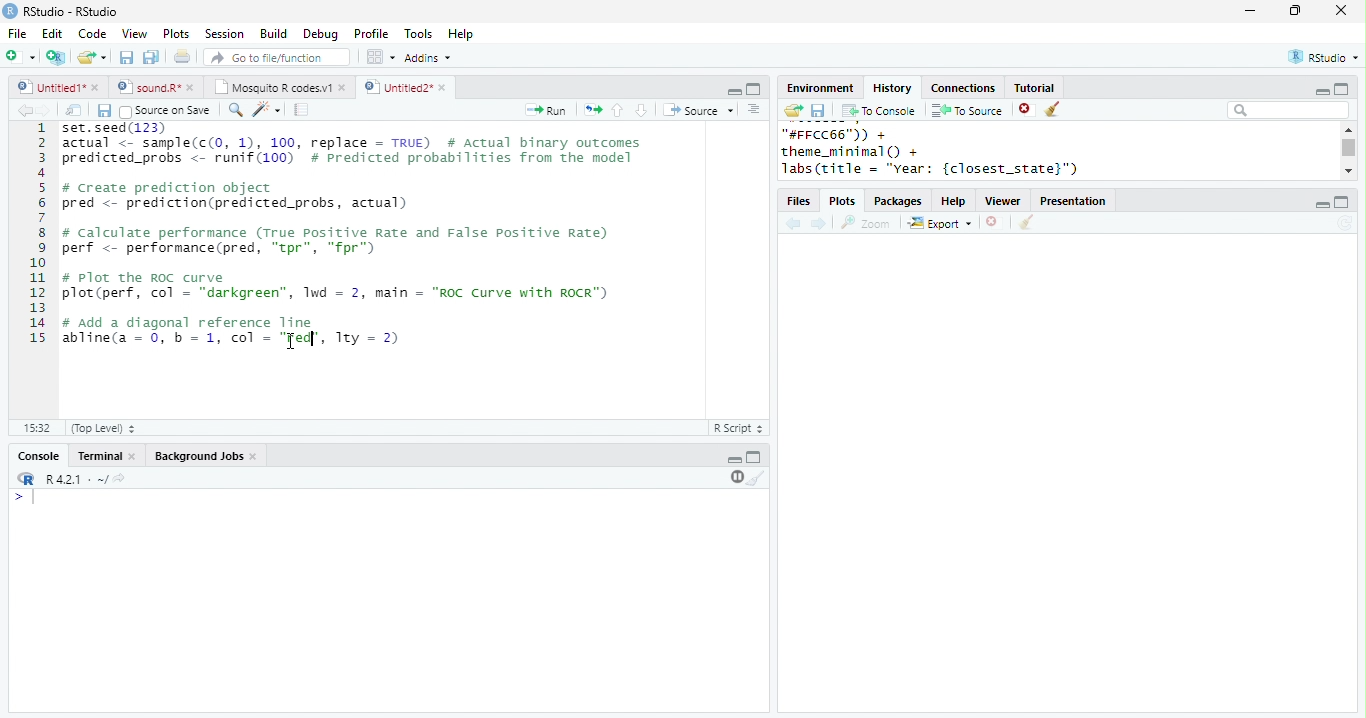 Image resolution: width=1366 pixels, height=718 pixels. What do you see at coordinates (955, 152) in the screenshot?
I see `"#FFCC66")) +theme_minimal() +labs(title = "year: {closest_state}")` at bounding box center [955, 152].